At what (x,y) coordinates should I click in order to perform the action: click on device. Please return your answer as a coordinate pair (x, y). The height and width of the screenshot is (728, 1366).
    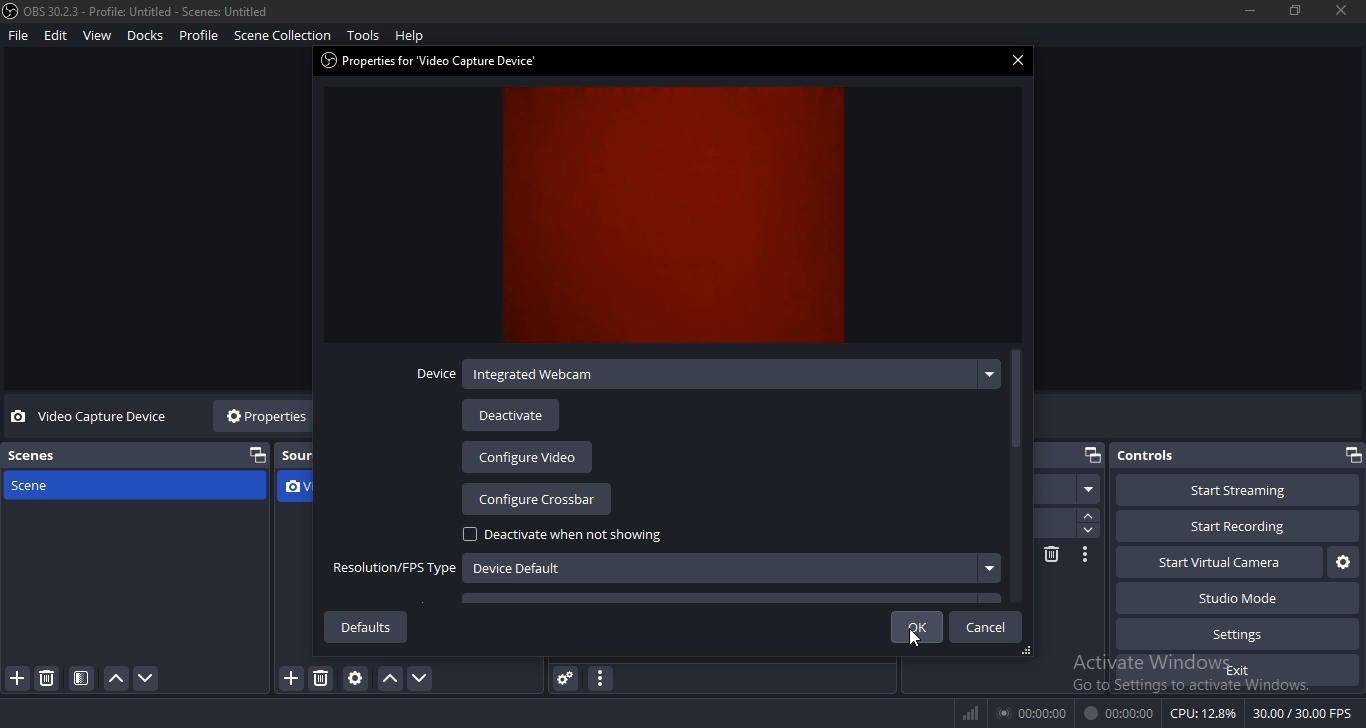
    Looking at the image, I should click on (706, 374).